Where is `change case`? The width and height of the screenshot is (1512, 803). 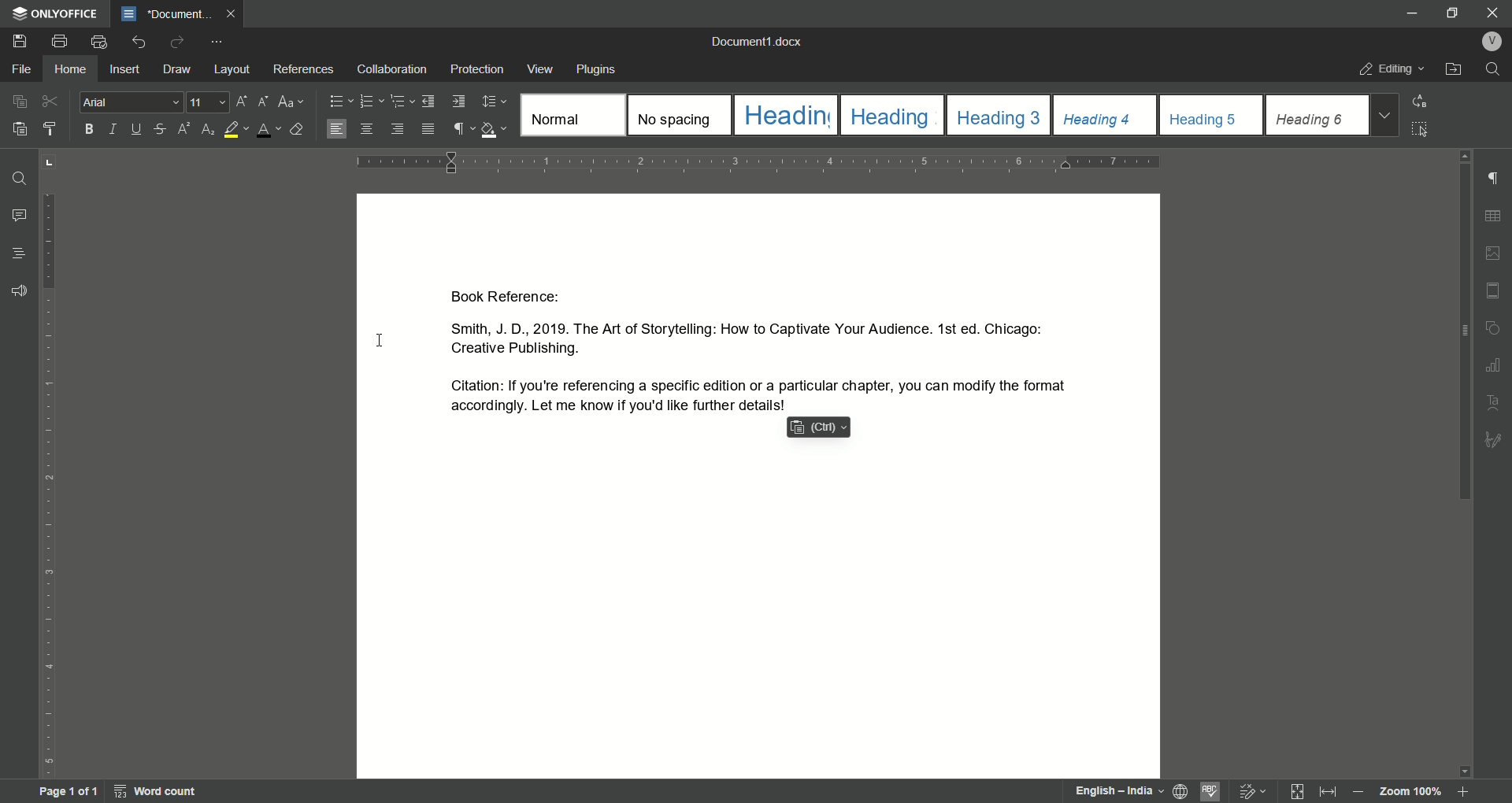 change case is located at coordinates (292, 102).